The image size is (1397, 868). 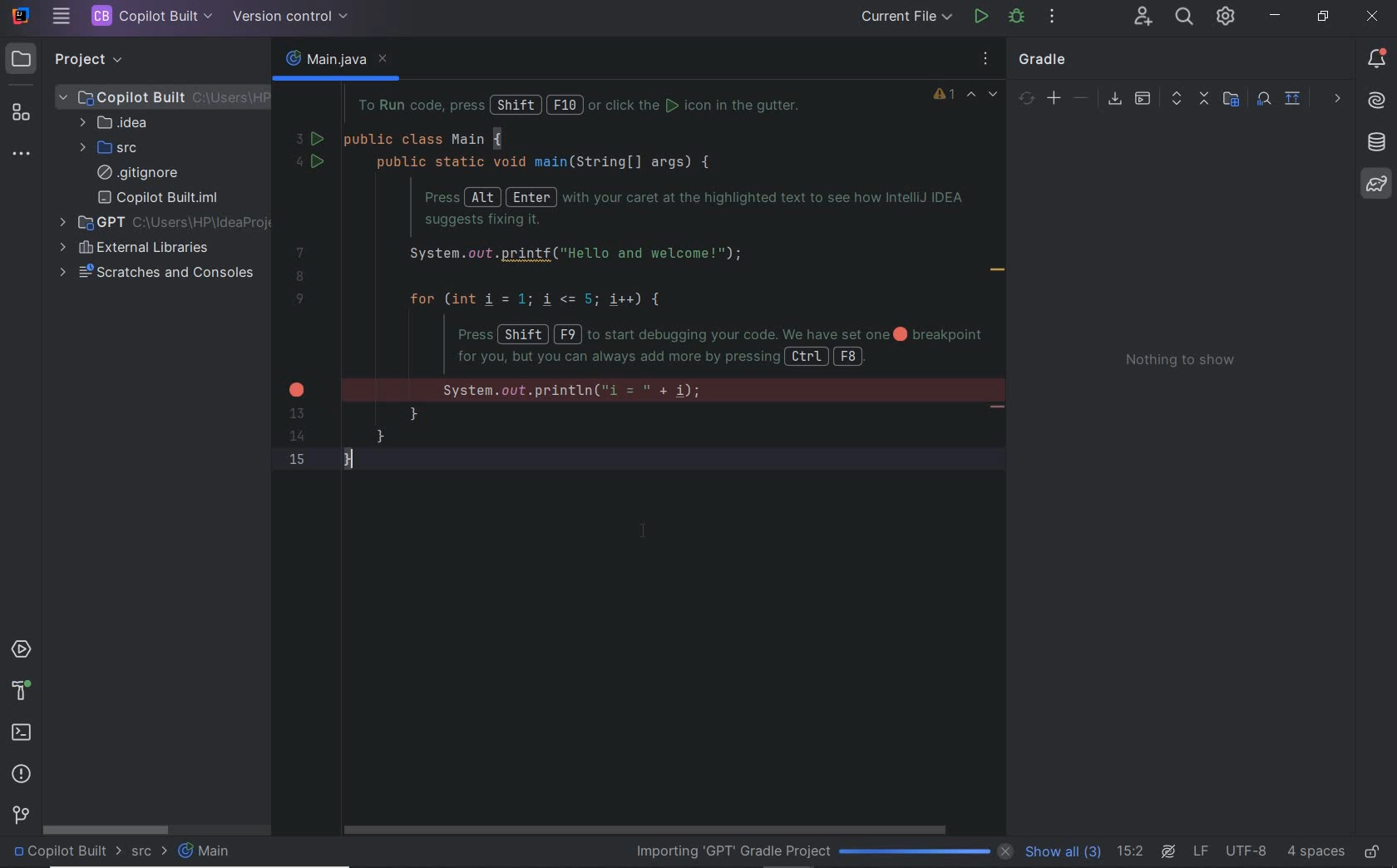 I want to click on restore down, so click(x=1321, y=16).